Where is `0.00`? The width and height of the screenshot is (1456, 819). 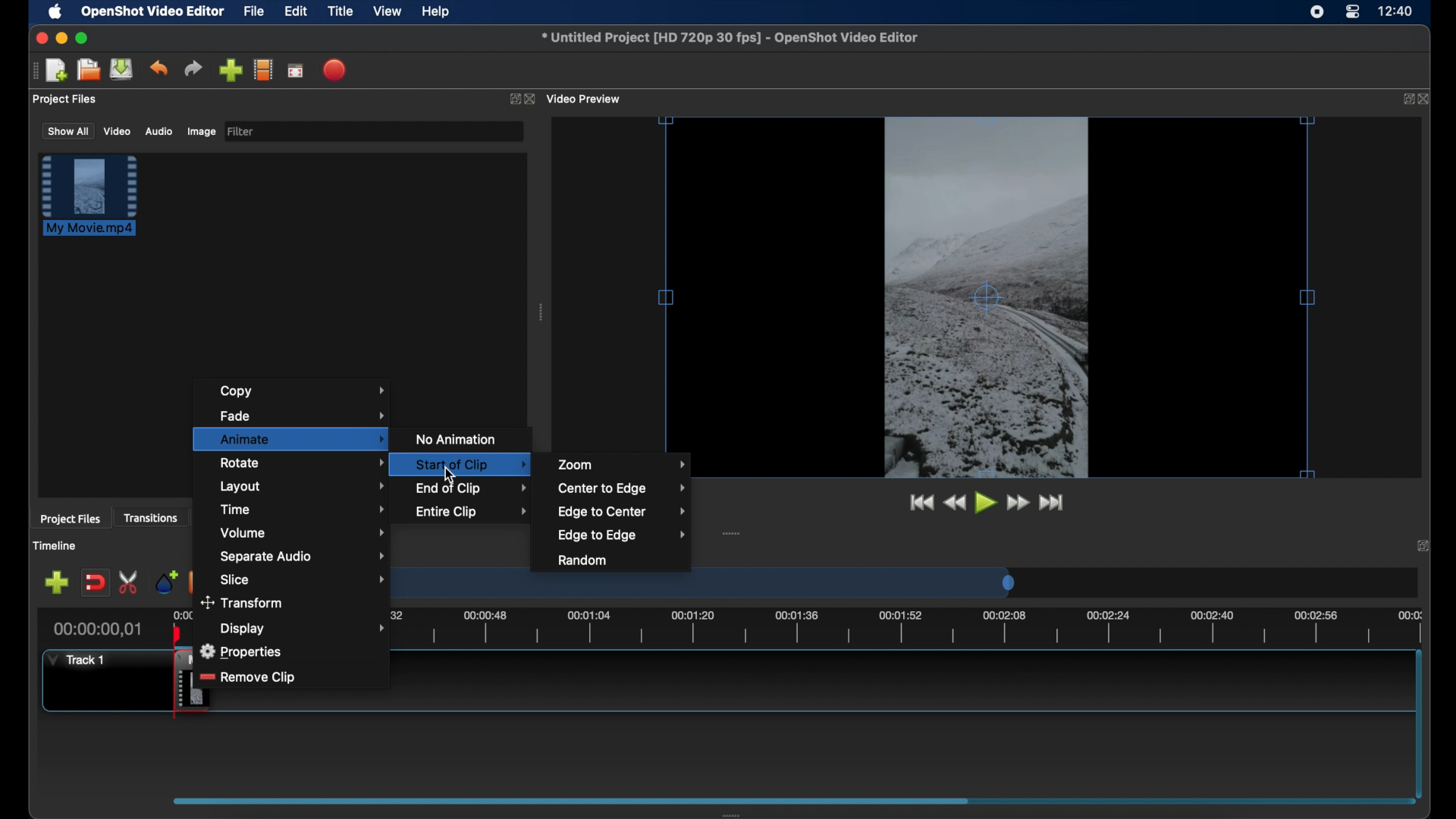
0.00 is located at coordinates (182, 613).